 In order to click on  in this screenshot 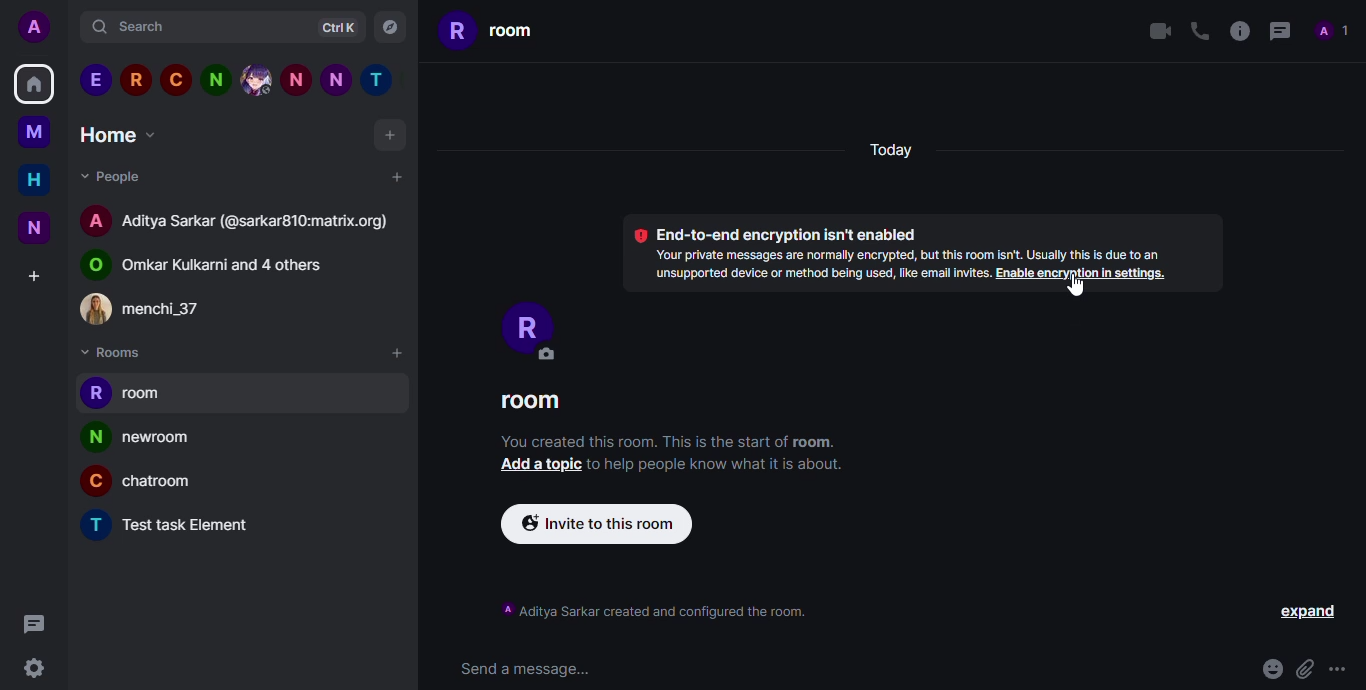, I will do `click(294, 78)`.